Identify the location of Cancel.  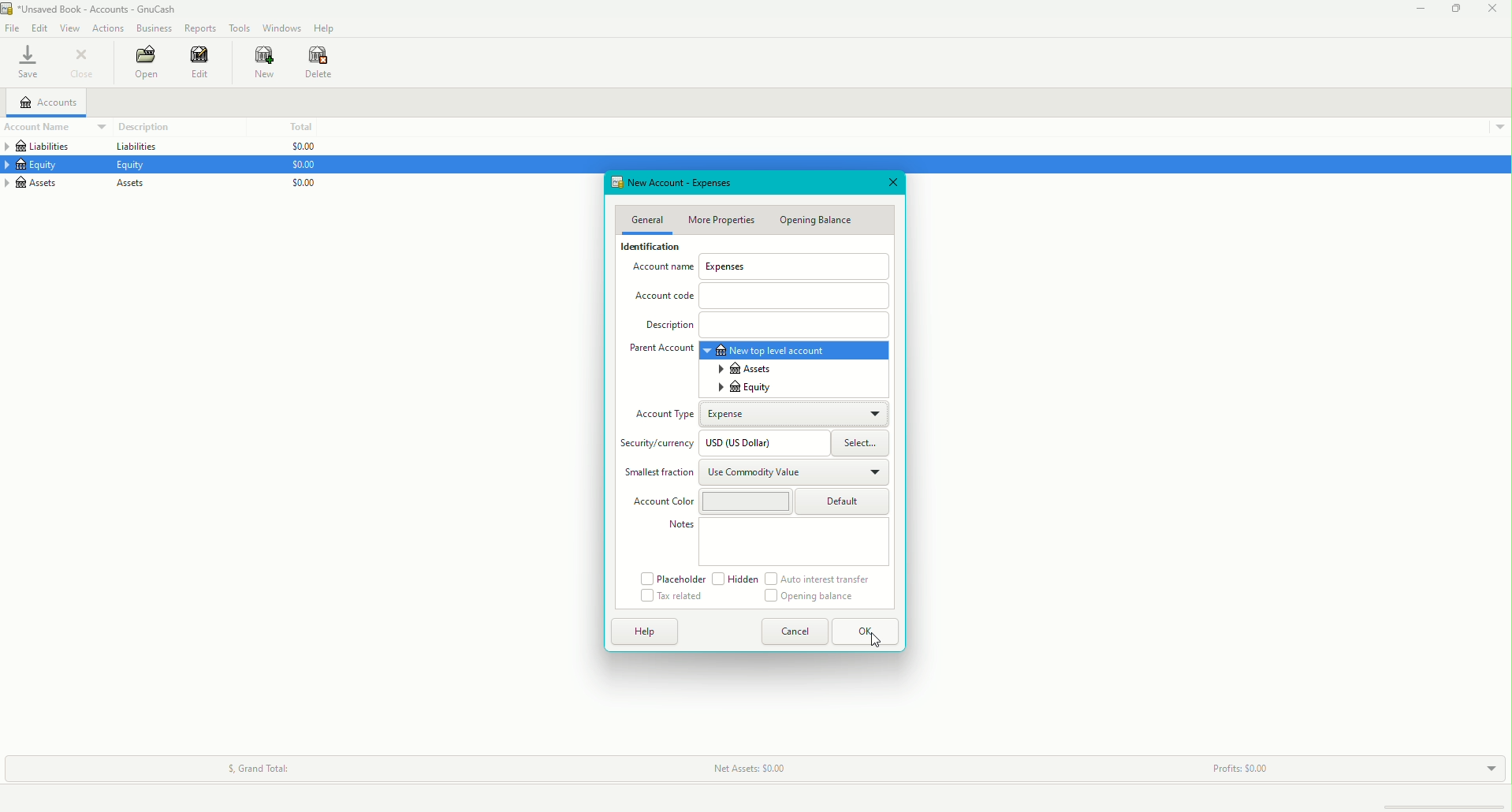
(799, 634).